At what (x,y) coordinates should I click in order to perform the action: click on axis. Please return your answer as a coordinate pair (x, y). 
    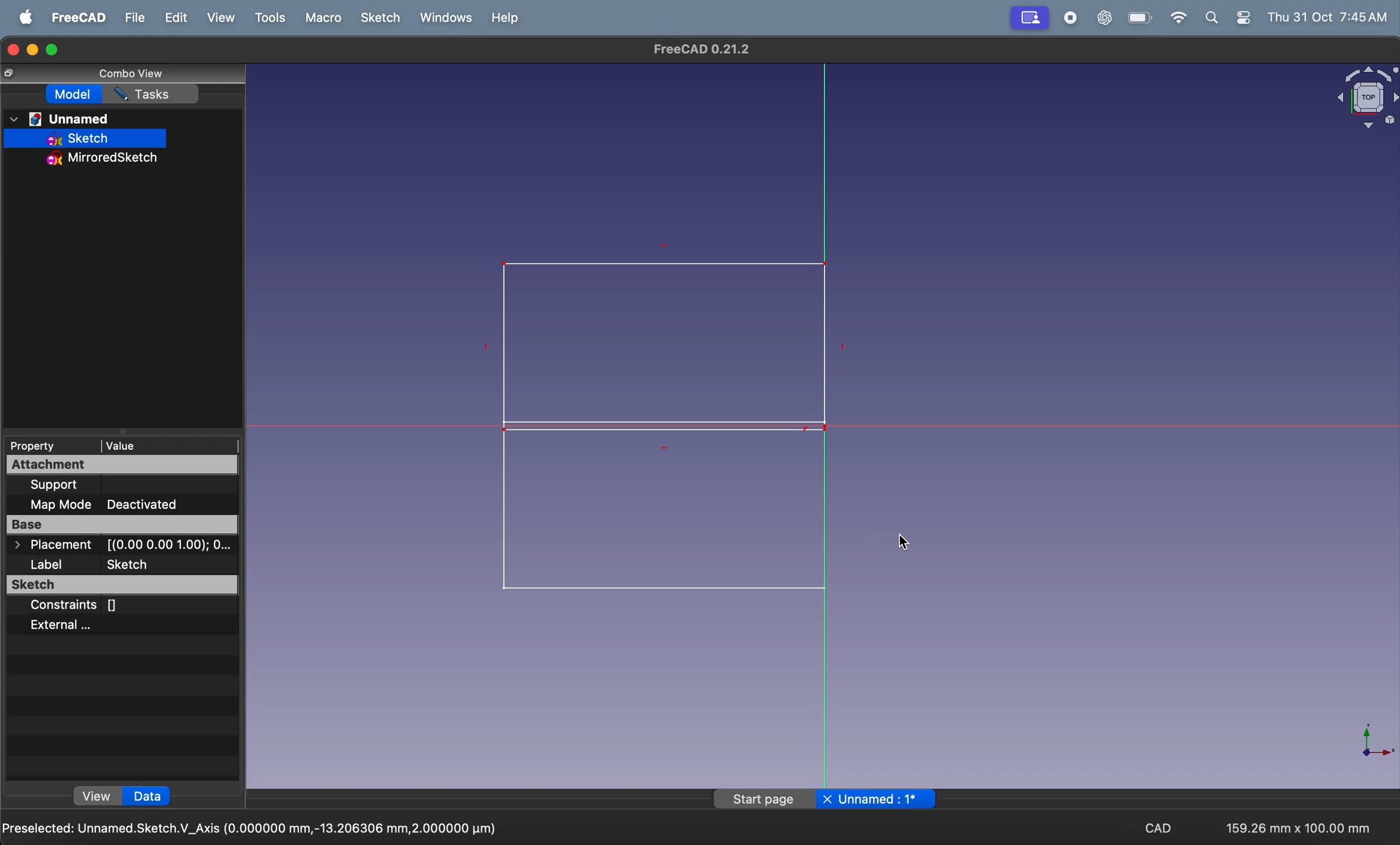
    Looking at the image, I should click on (1370, 746).